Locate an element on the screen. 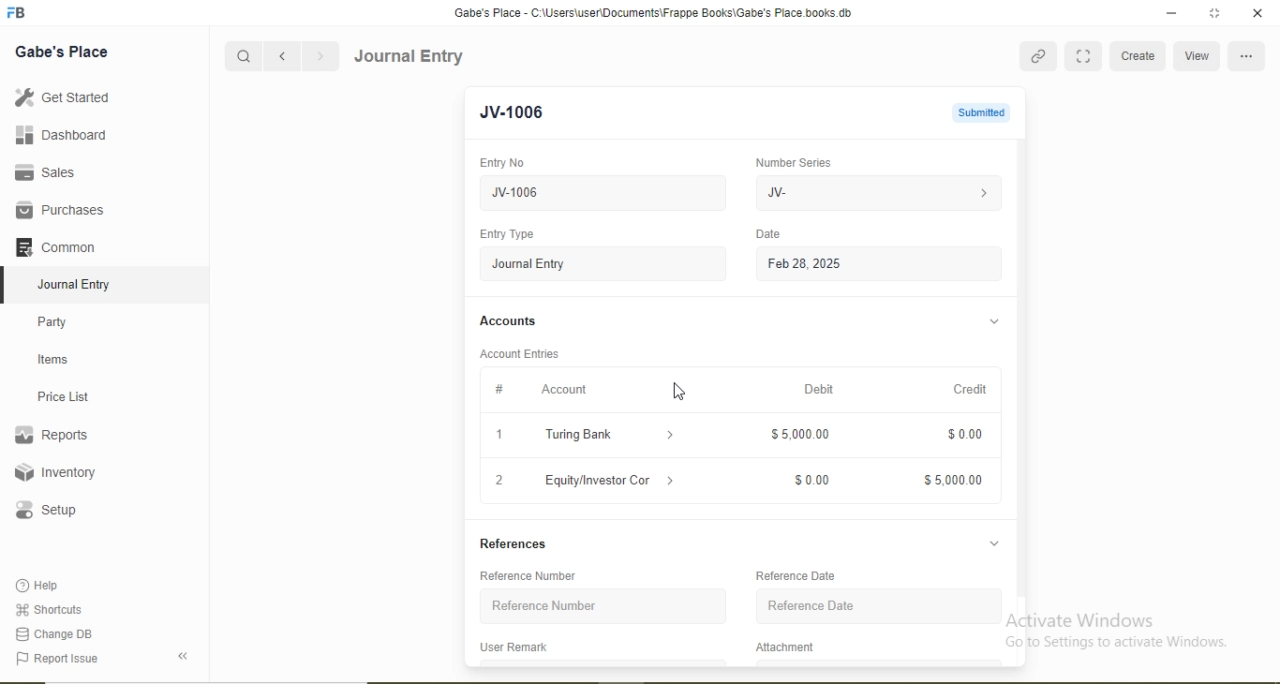 This screenshot has height=684, width=1280. Purchases is located at coordinates (59, 210).